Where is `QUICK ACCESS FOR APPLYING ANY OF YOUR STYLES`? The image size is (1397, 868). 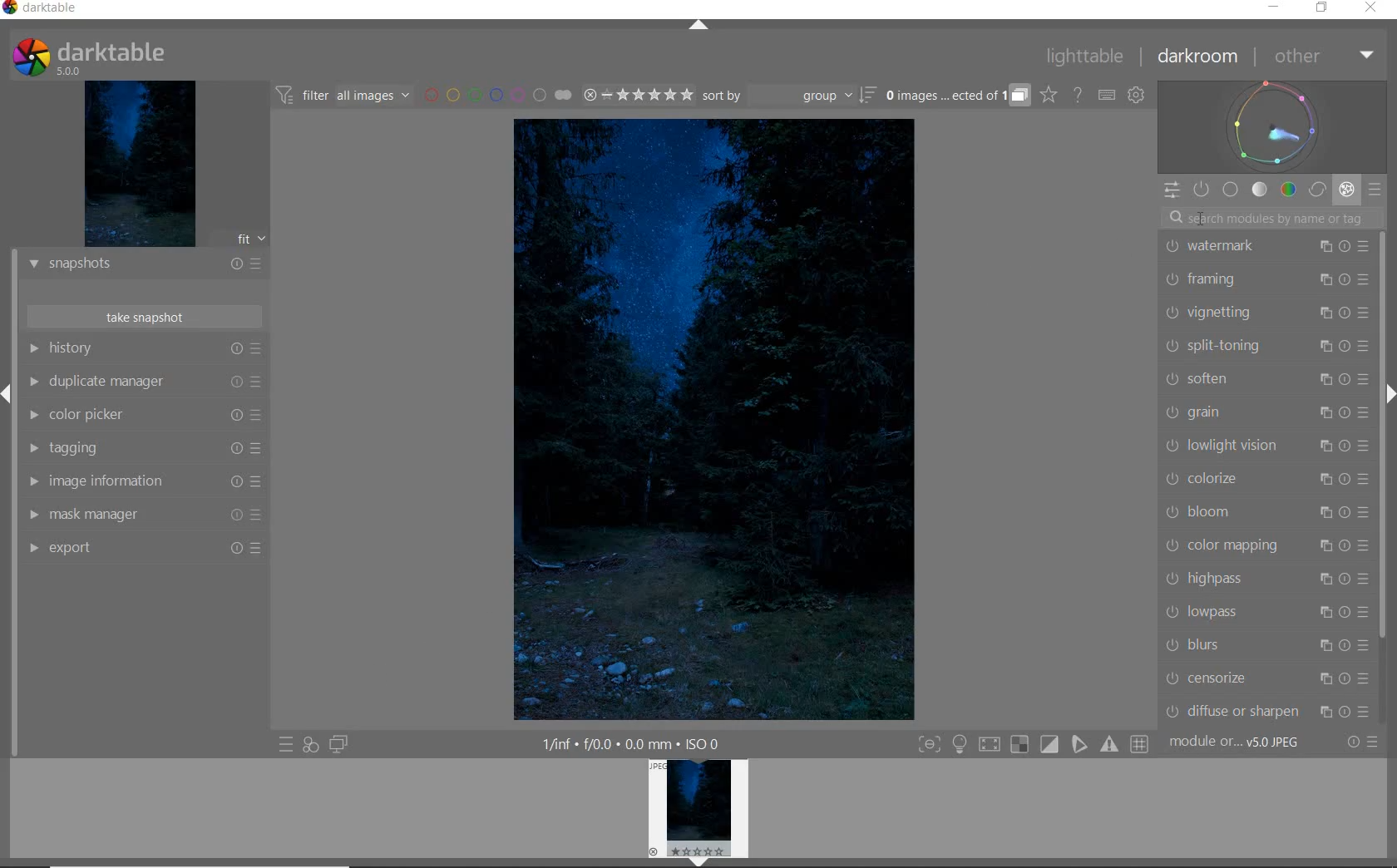 QUICK ACCESS FOR APPLYING ANY OF YOUR STYLES is located at coordinates (309, 746).